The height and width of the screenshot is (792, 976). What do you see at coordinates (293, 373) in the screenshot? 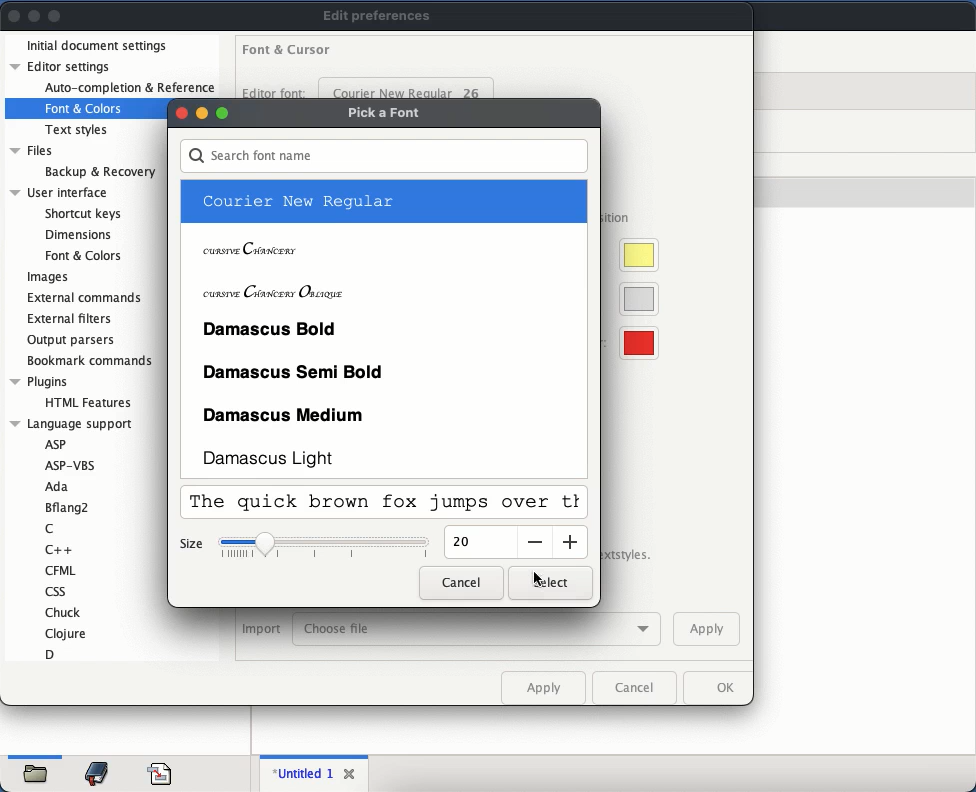
I see `Damascus Semi Bold` at bounding box center [293, 373].